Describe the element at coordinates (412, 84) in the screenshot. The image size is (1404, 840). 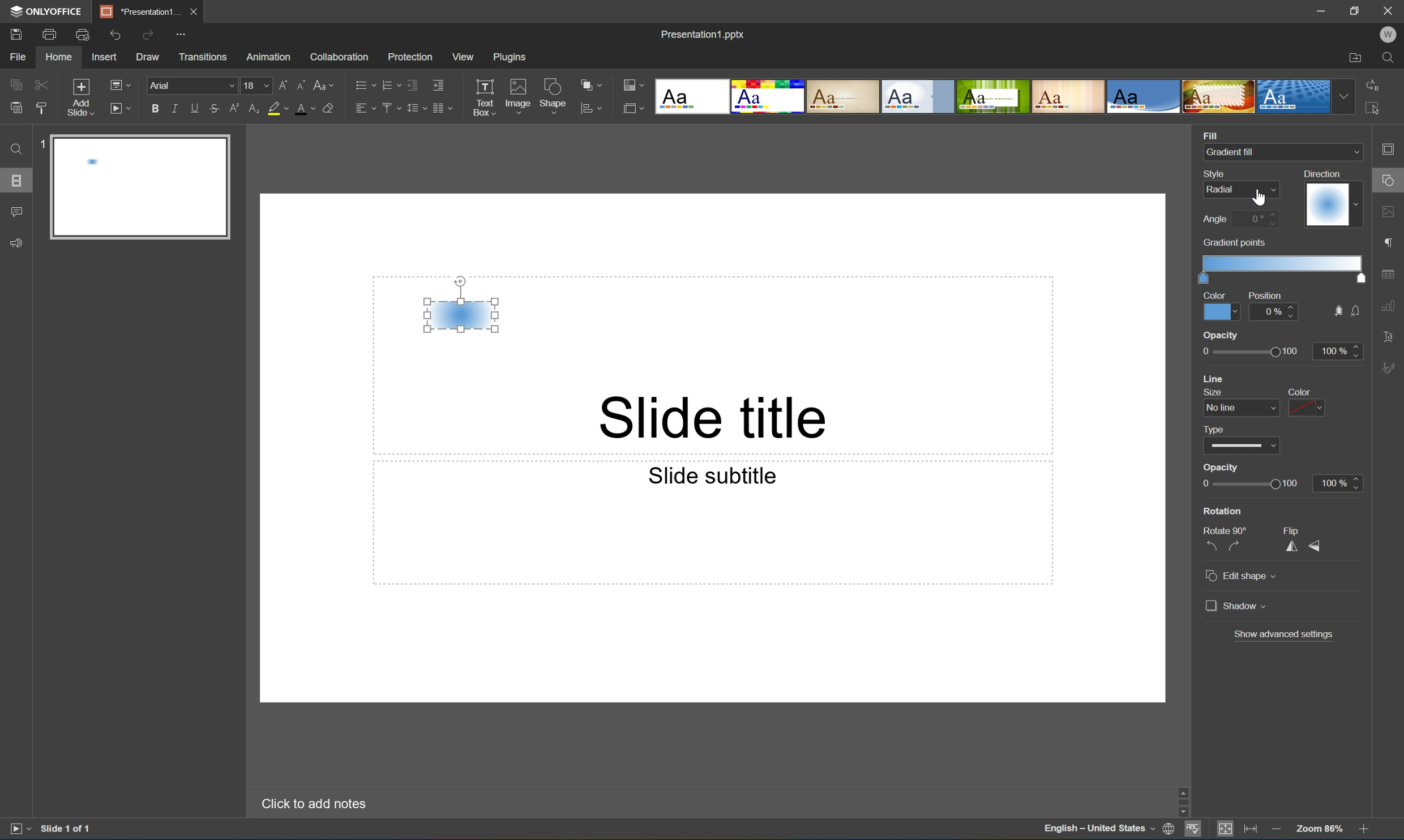
I see `Decrease indent` at that location.